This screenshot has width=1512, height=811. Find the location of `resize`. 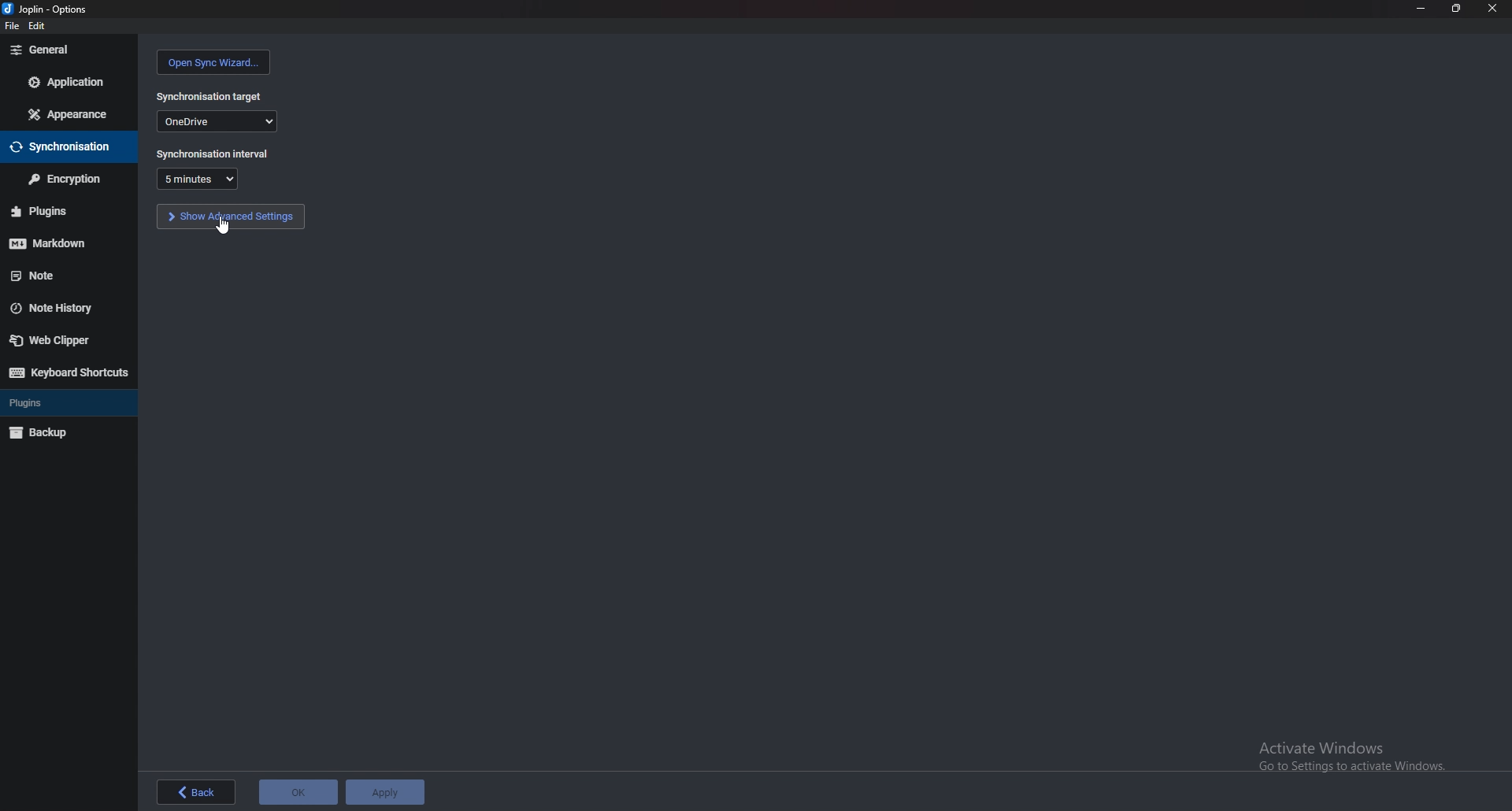

resize is located at coordinates (1455, 9).